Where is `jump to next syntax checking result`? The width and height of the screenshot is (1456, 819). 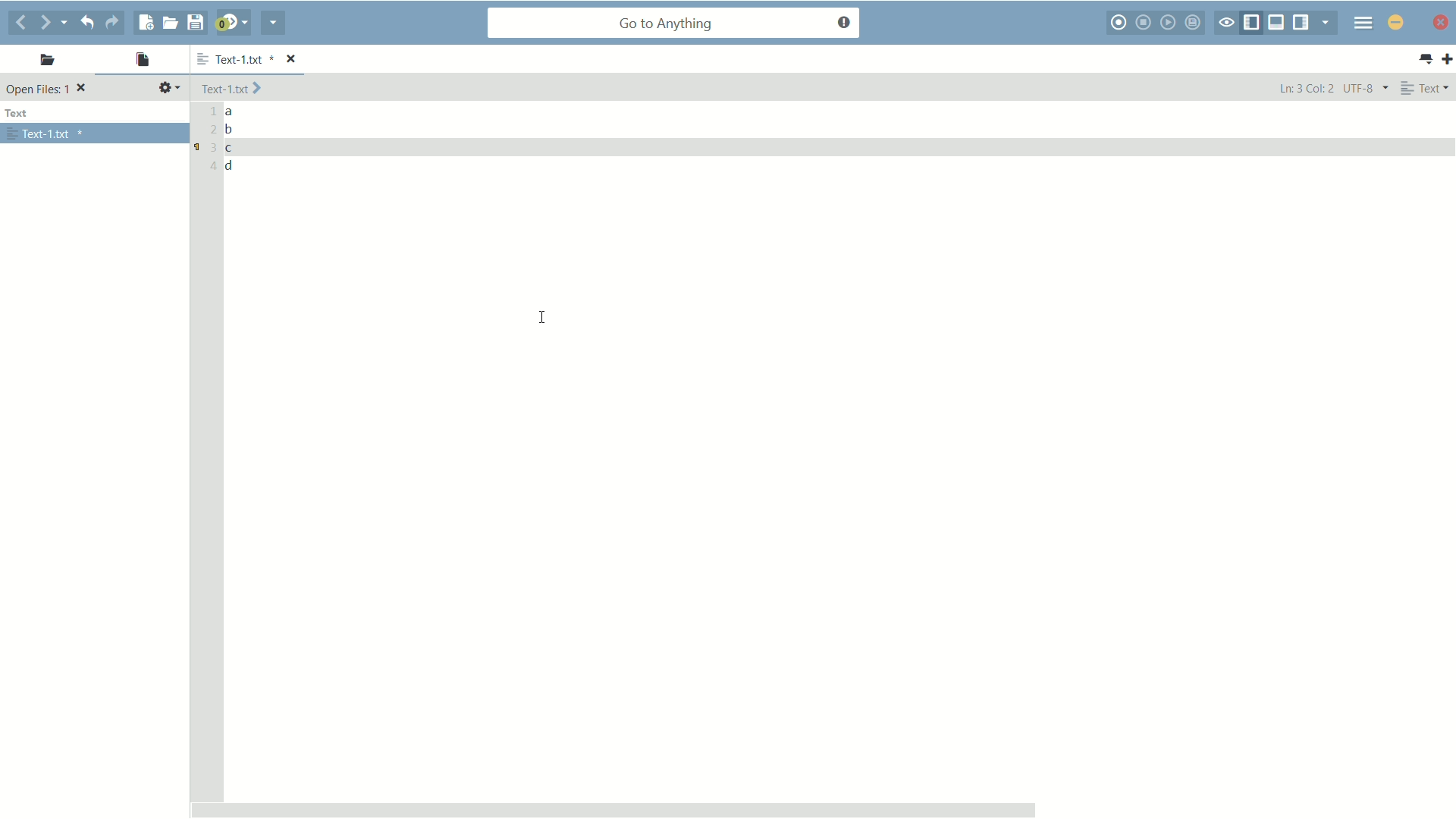
jump to next syntax checking result is located at coordinates (231, 23).